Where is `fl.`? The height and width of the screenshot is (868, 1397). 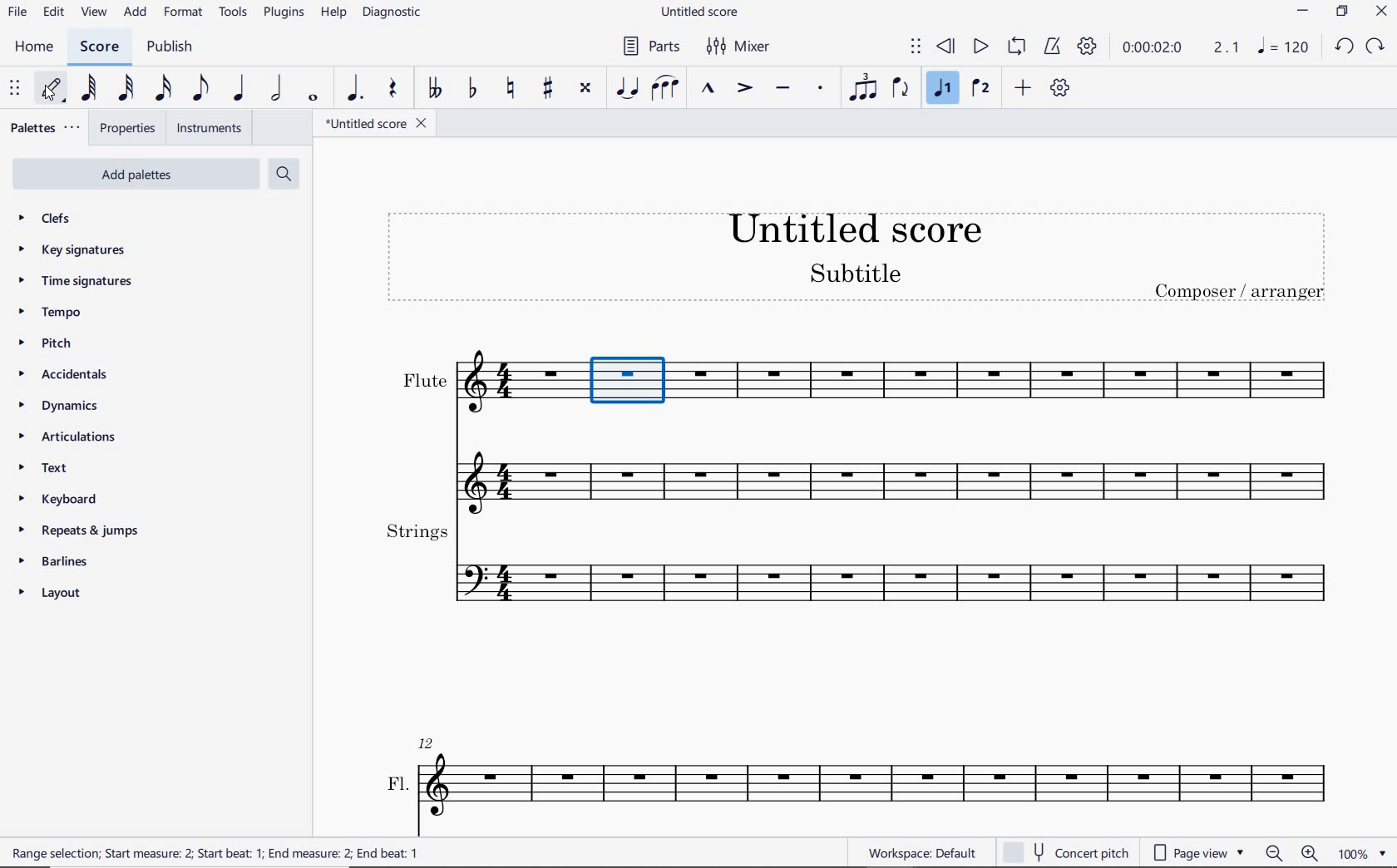 fl. is located at coordinates (861, 776).